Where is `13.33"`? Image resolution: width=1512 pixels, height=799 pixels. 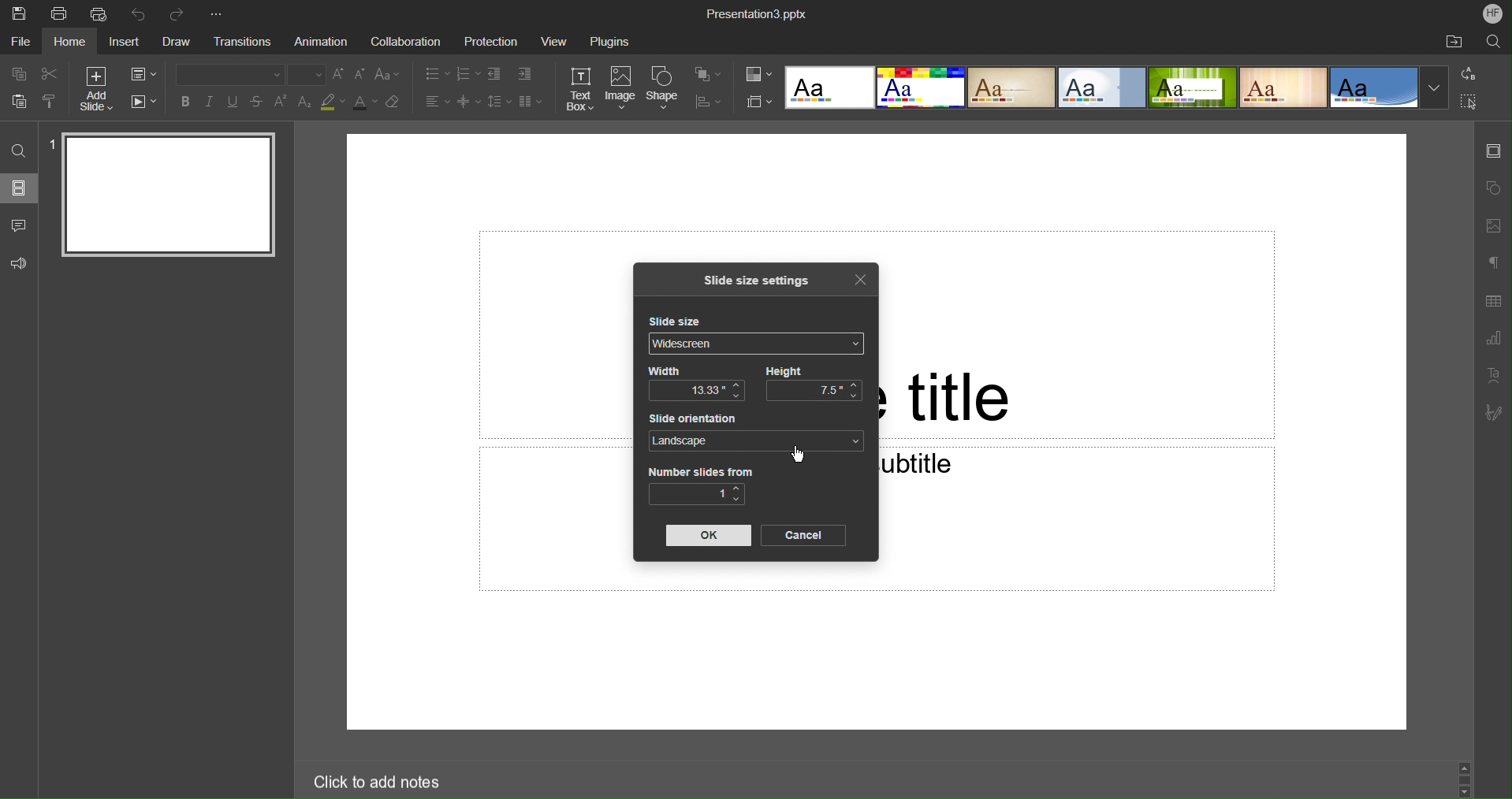 13.33" is located at coordinates (697, 392).